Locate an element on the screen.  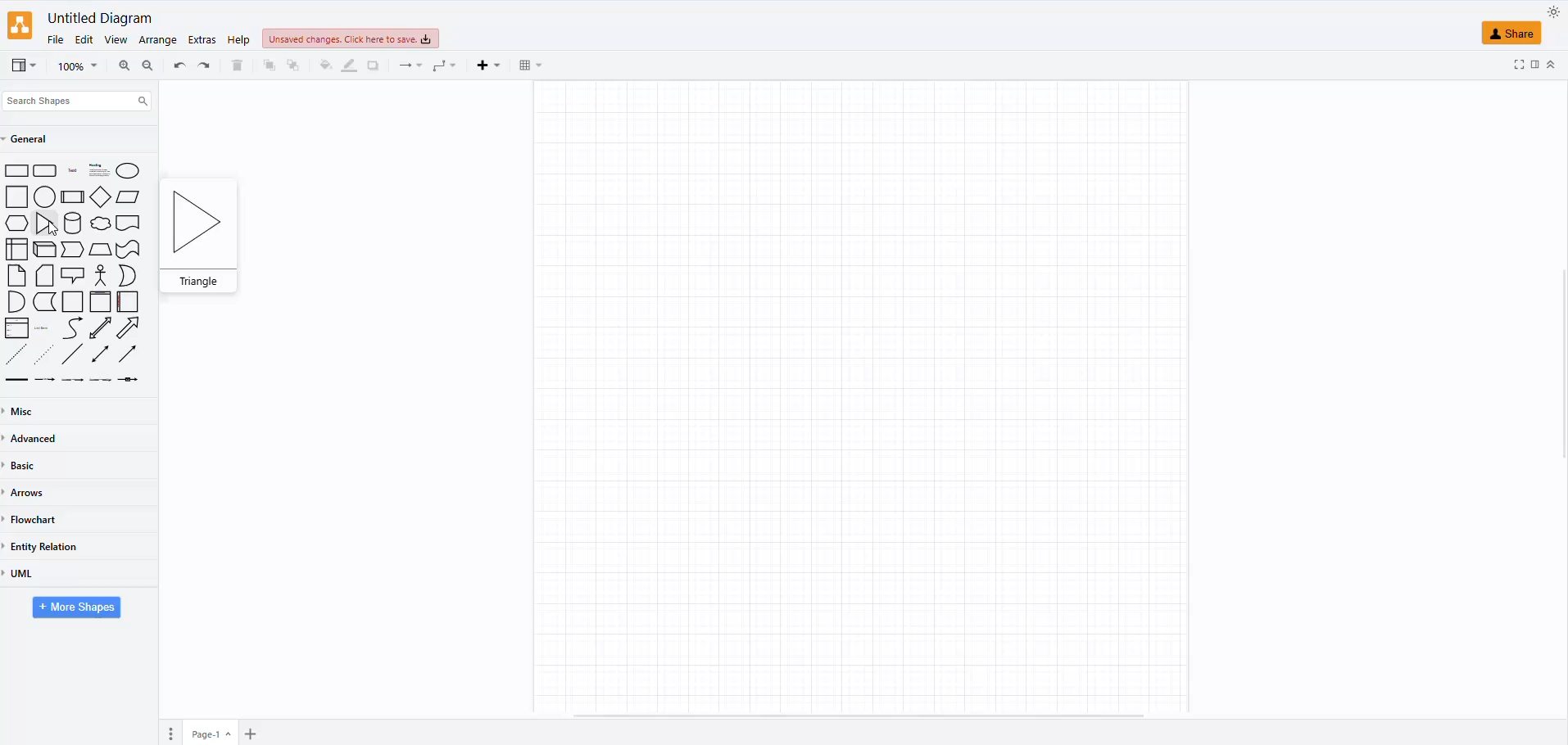
Circle is located at coordinates (128, 170).